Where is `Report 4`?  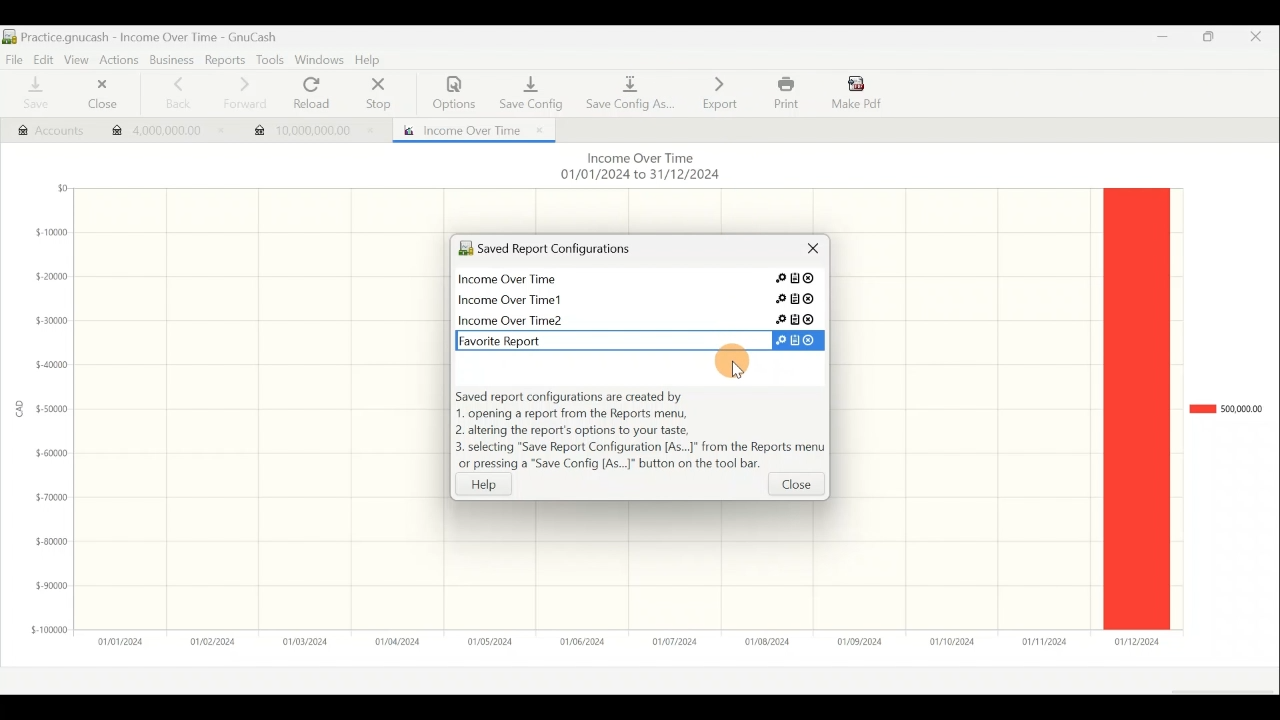
Report 4 is located at coordinates (632, 338).